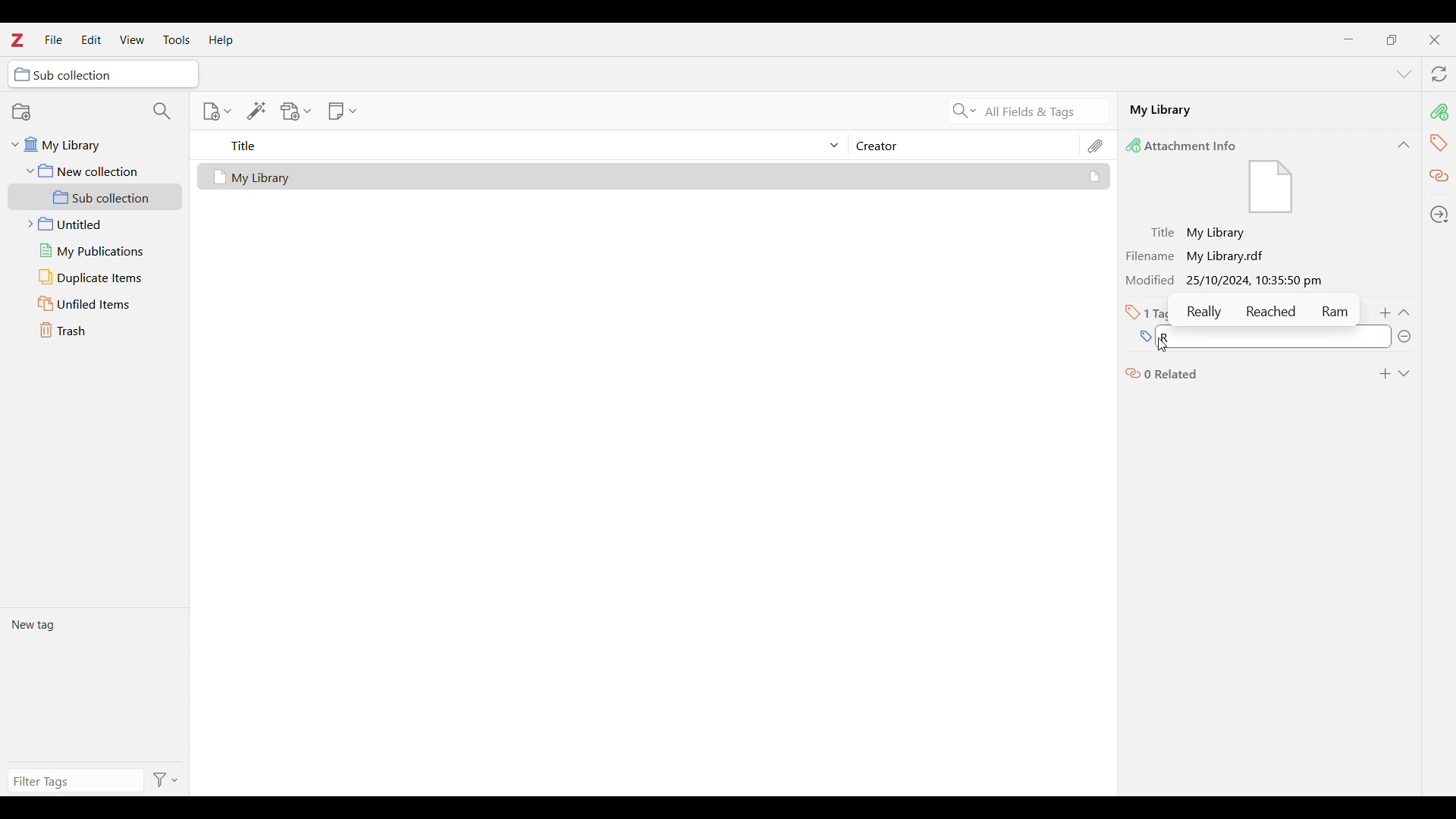 The width and height of the screenshot is (1456, 819). Describe the element at coordinates (16, 39) in the screenshot. I see `Software logo` at that location.